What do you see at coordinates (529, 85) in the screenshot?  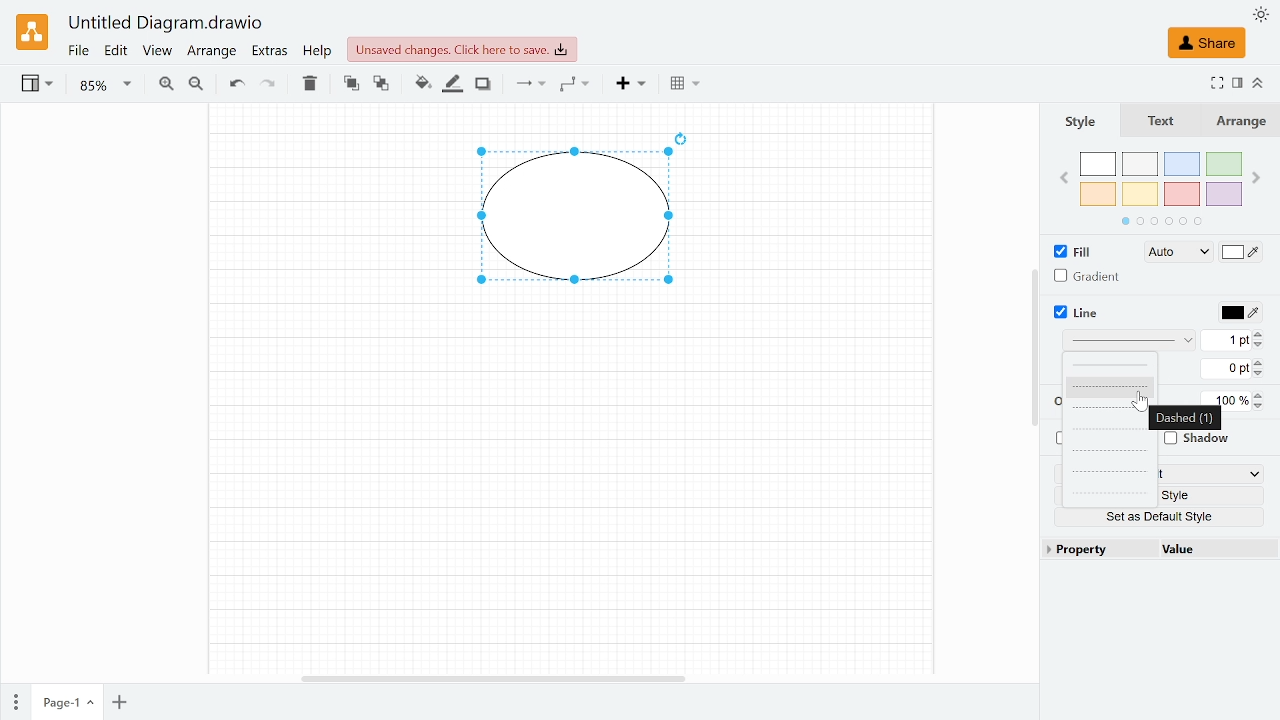 I see `Connections` at bounding box center [529, 85].